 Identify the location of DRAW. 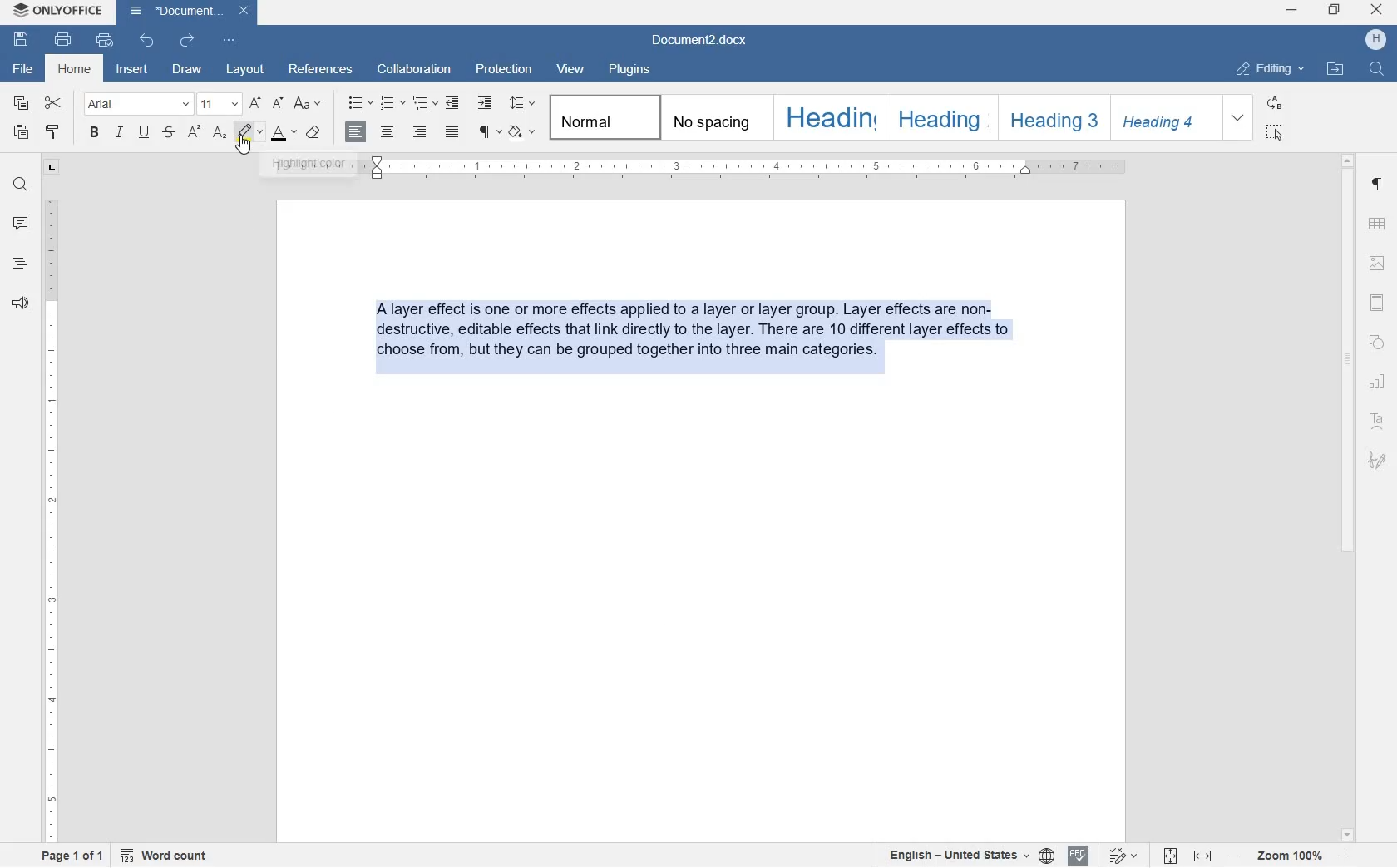
(187, 69).